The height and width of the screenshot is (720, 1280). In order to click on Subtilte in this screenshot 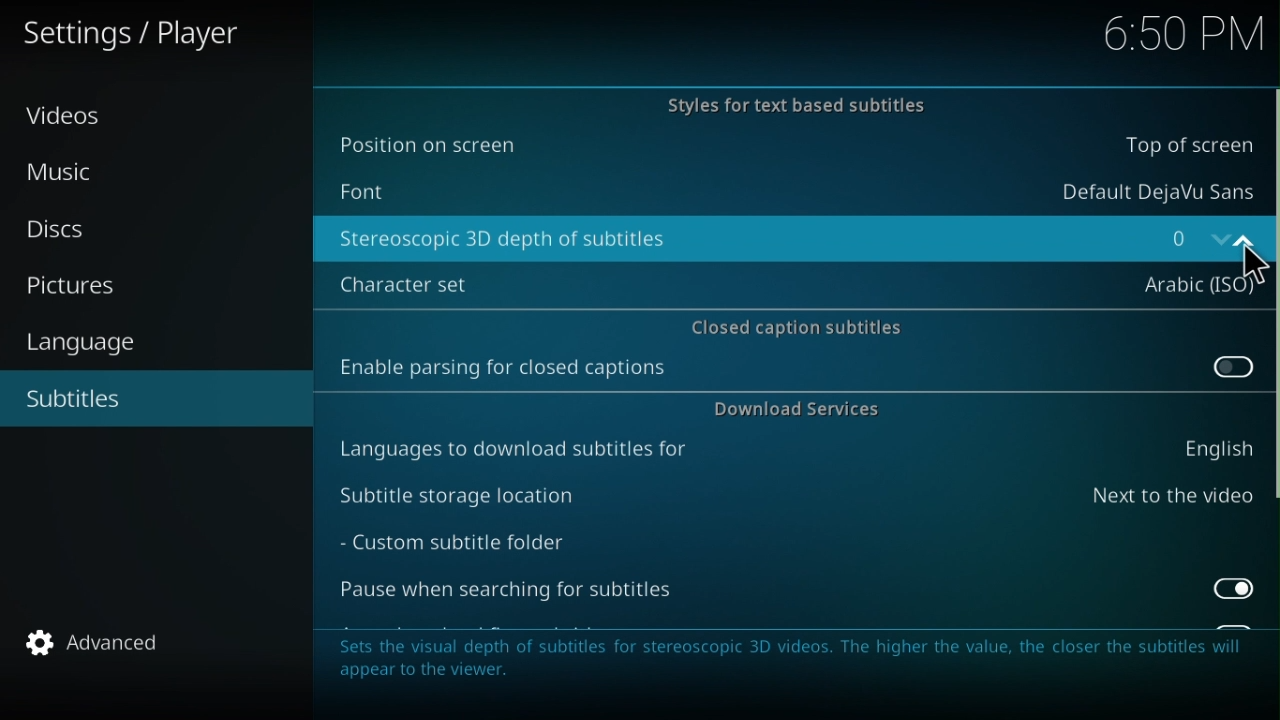, I will do `click(75, 400)`.